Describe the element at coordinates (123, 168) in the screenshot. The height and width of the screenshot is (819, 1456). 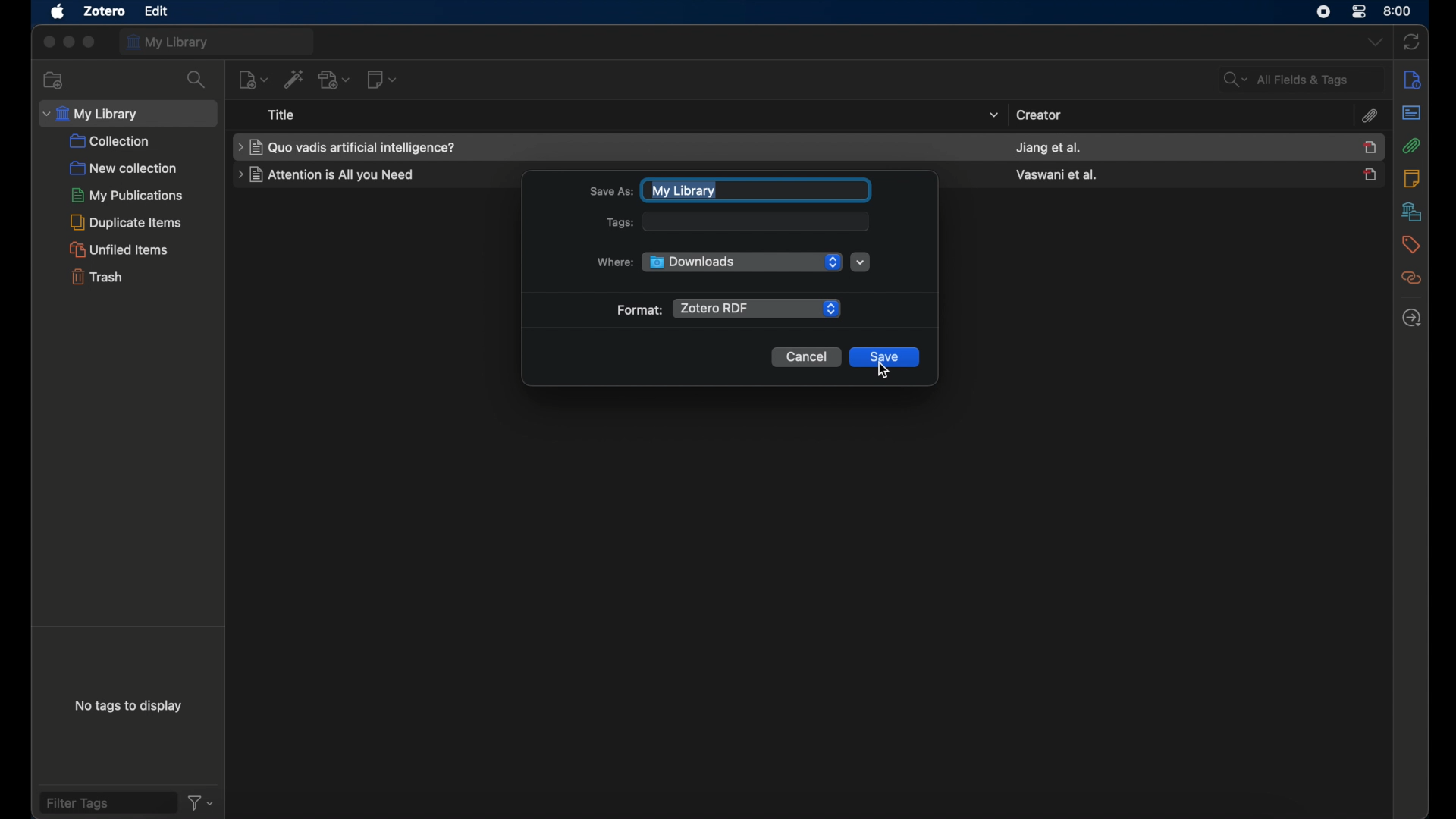
I see `new collection` at that location.